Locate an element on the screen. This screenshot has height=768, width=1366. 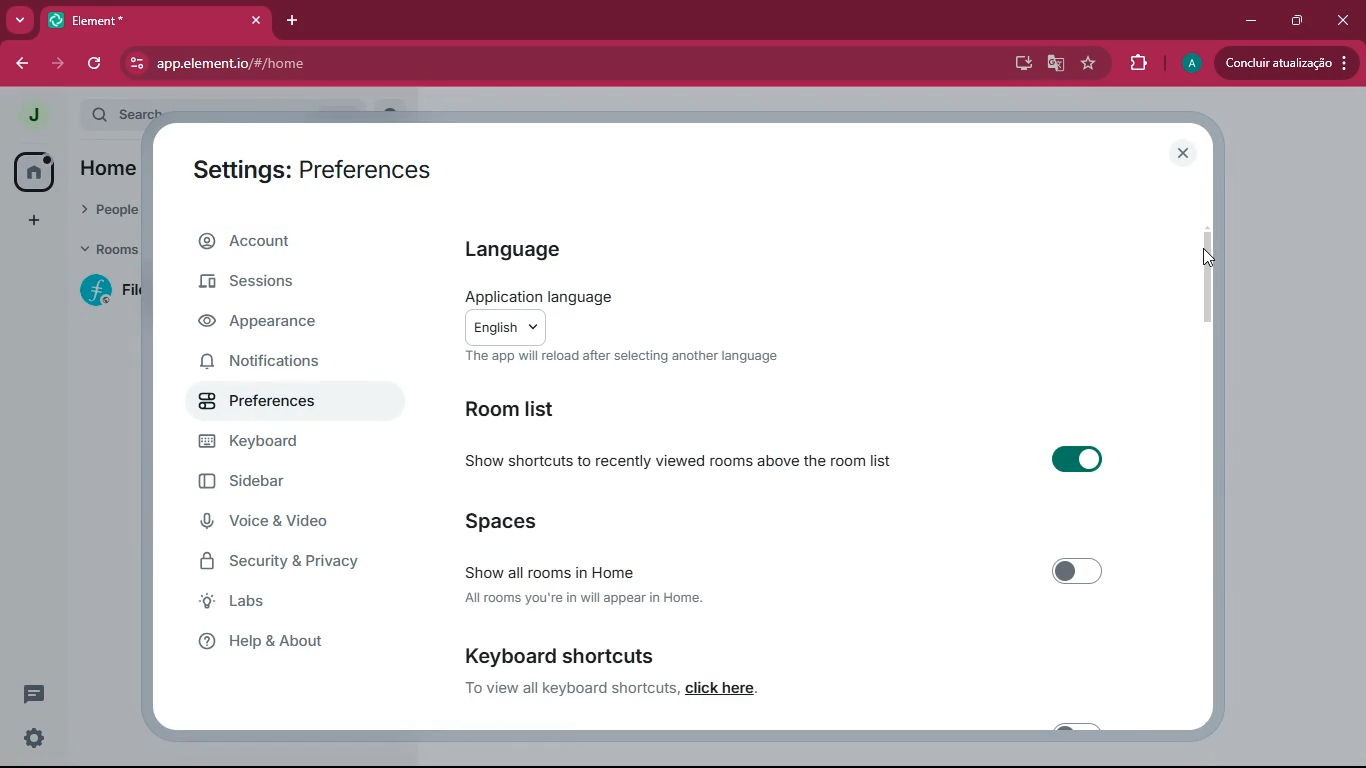
sidebar is located at coordinates (281, 485).